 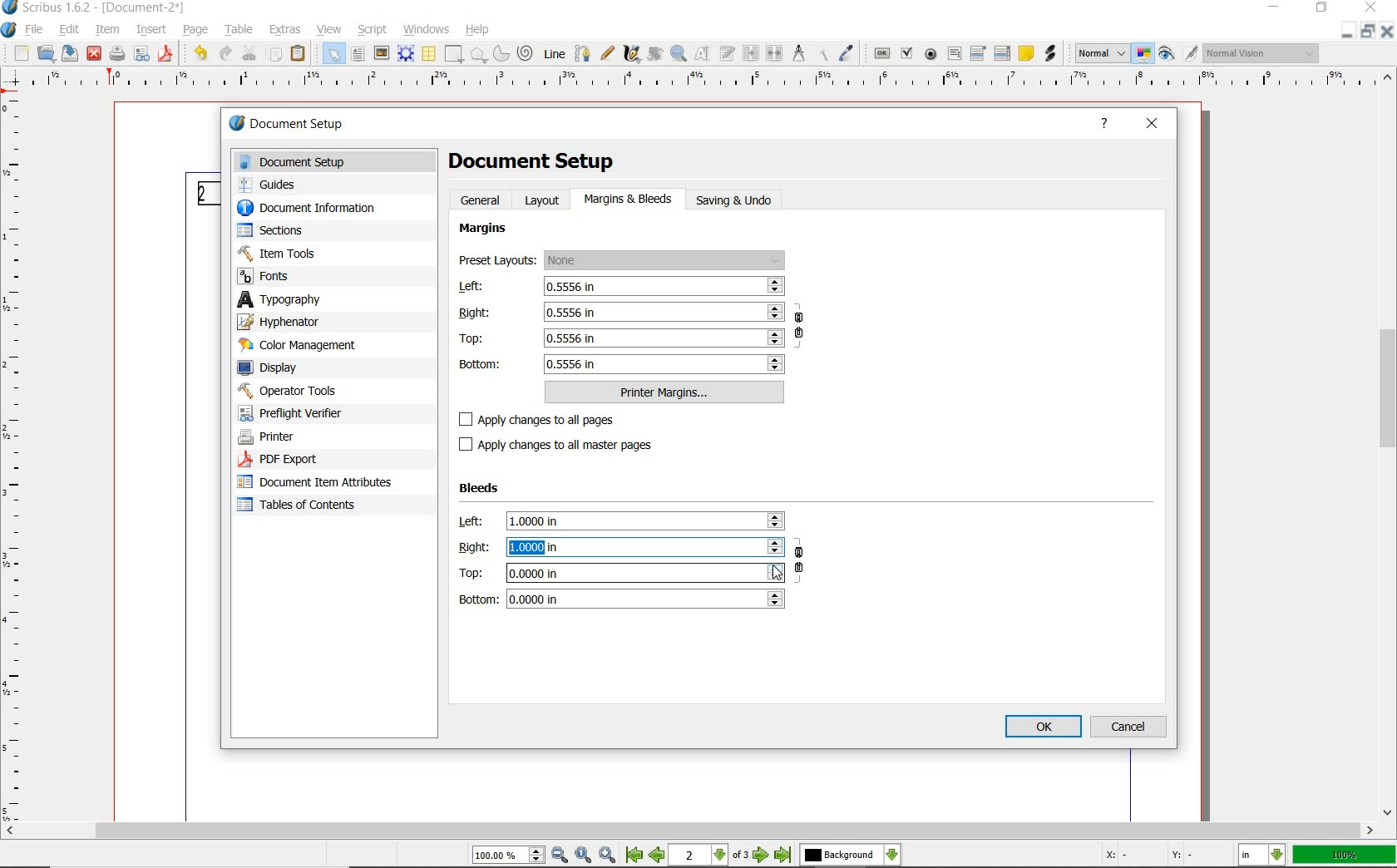 I want to click on left, so click(x=620, y=287).